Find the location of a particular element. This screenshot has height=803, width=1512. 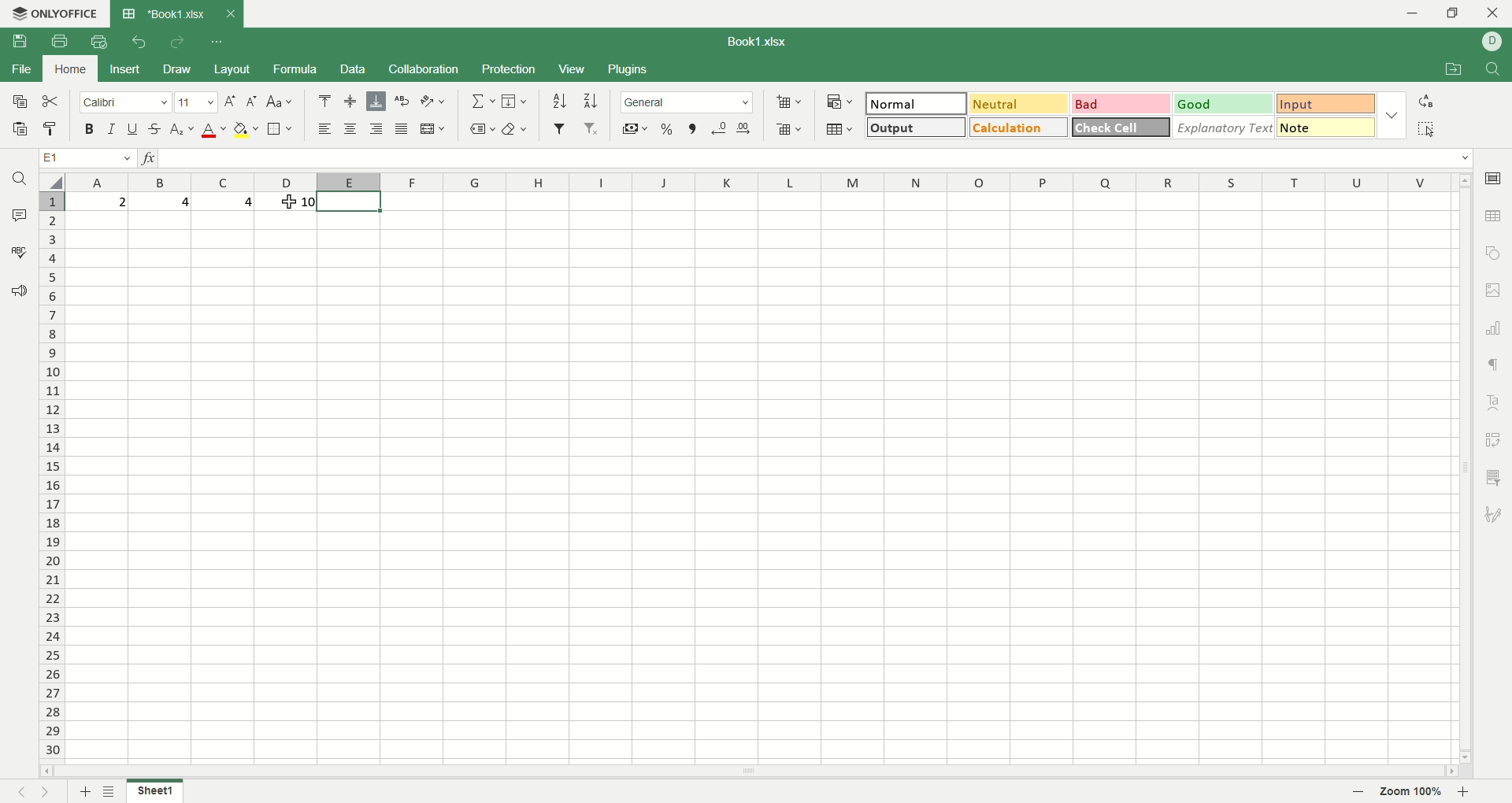

home is located at coordinates (69, 68).